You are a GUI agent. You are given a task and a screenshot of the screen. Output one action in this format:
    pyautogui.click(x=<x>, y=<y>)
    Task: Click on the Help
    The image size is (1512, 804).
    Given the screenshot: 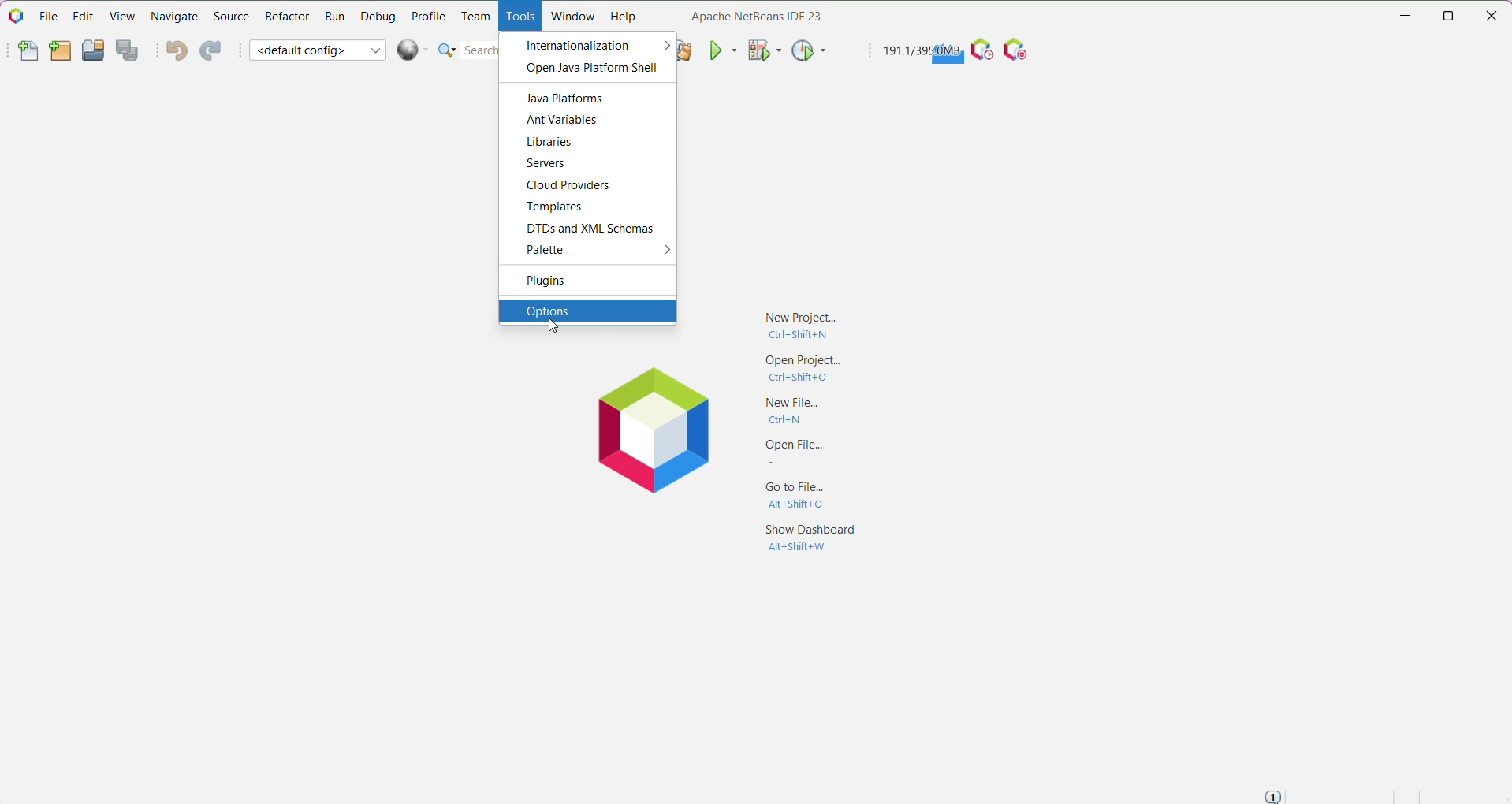 What is the action you would take?
    pyautogui.click(x=624, y=17)
    